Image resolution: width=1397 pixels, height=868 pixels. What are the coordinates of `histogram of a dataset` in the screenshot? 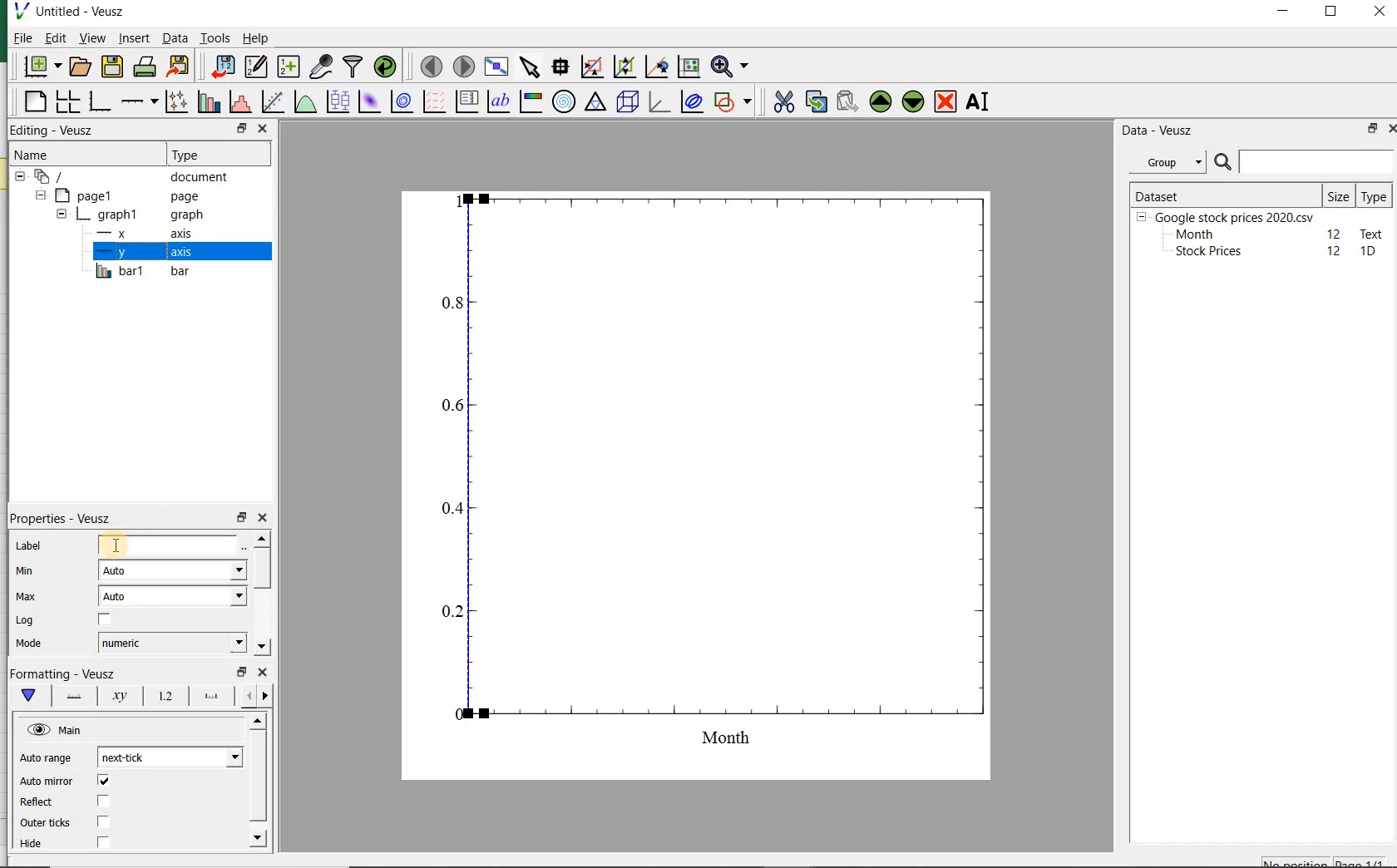 It's located at (239, 104).